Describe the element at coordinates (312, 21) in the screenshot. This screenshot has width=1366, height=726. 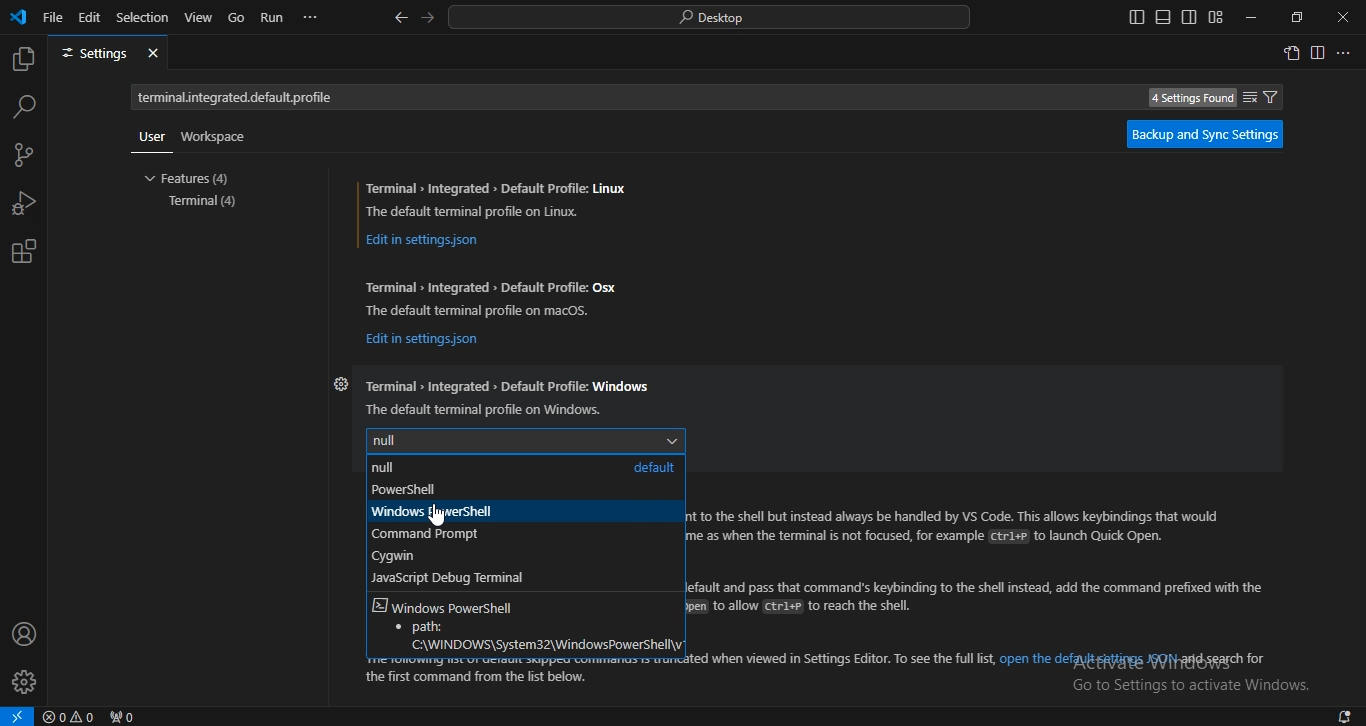
I see `...` at that location.